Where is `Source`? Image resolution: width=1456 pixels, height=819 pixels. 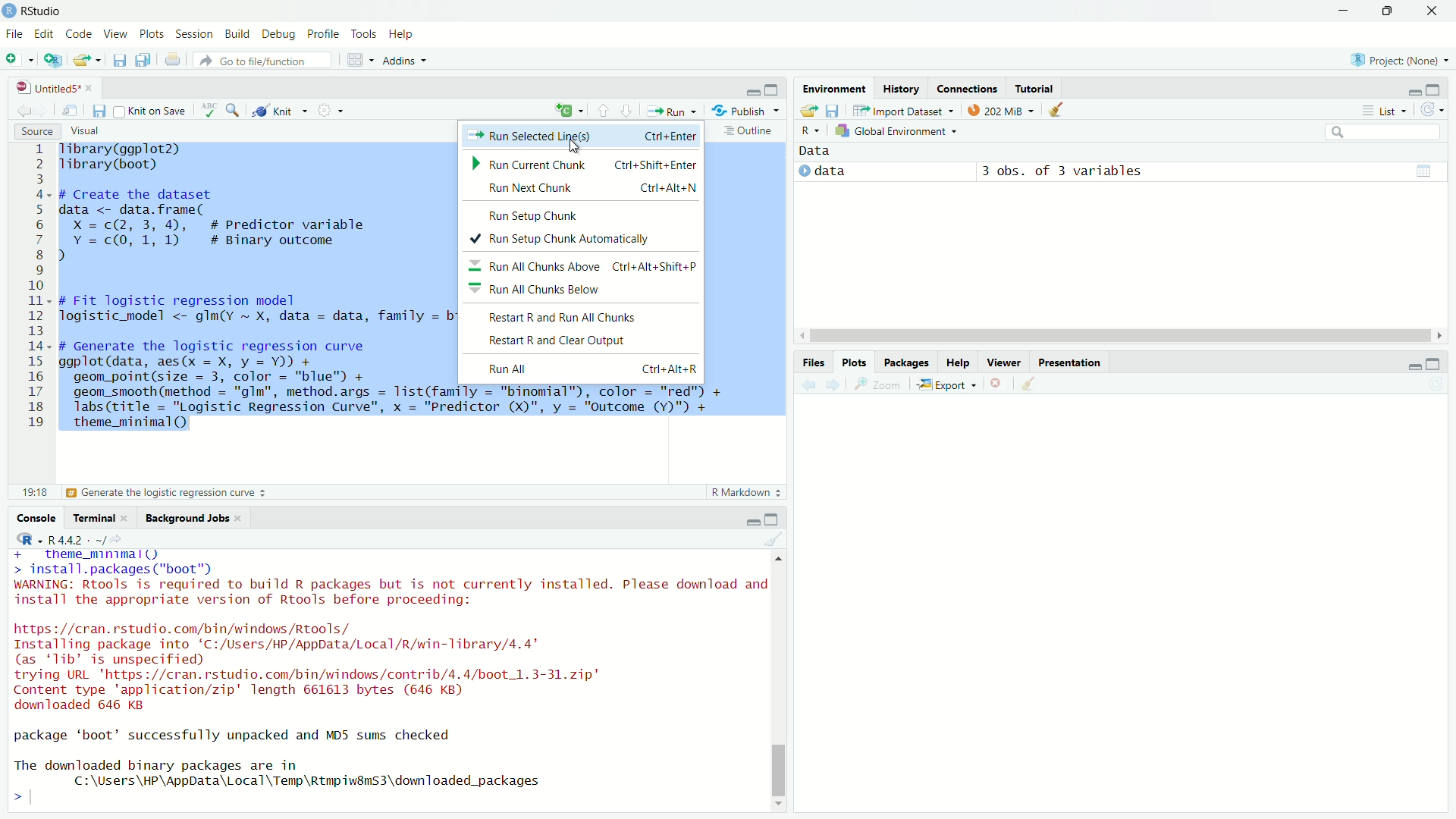 Source is located at coordinates (38, 131).